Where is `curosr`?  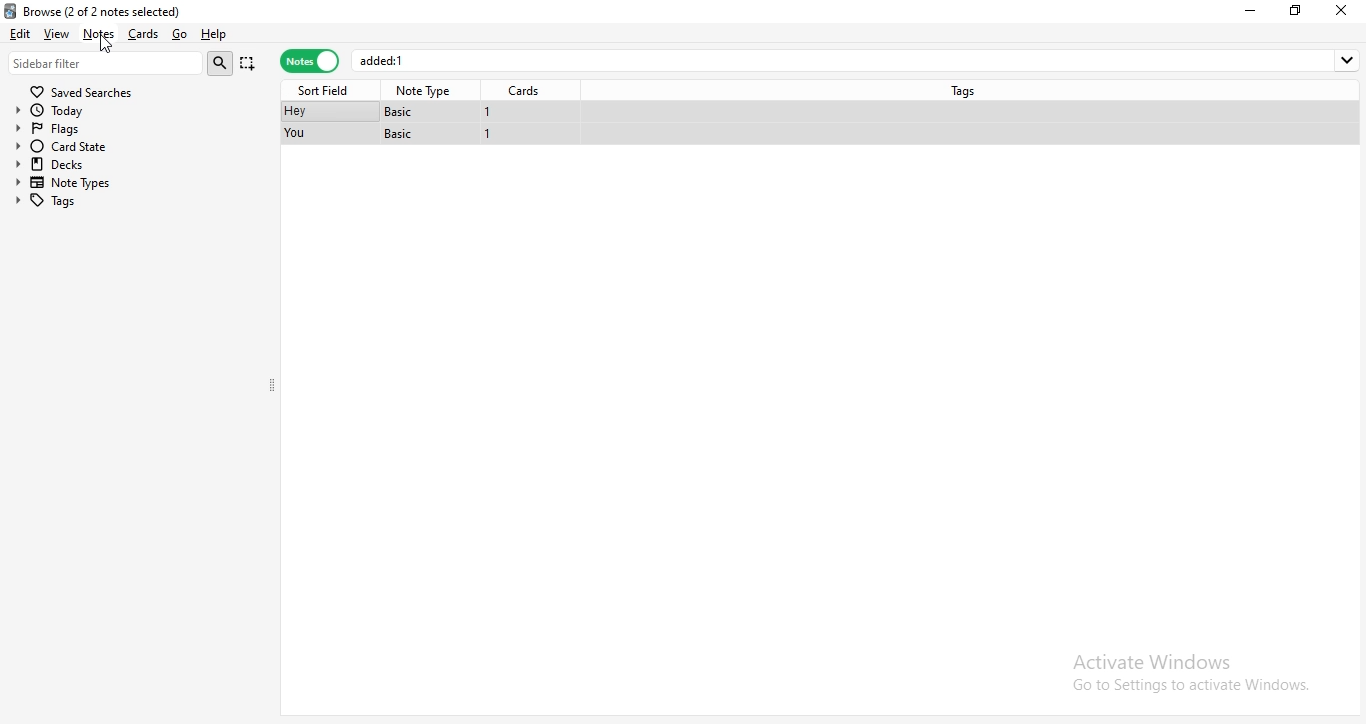
curosr is located at coordinates (107, 45).